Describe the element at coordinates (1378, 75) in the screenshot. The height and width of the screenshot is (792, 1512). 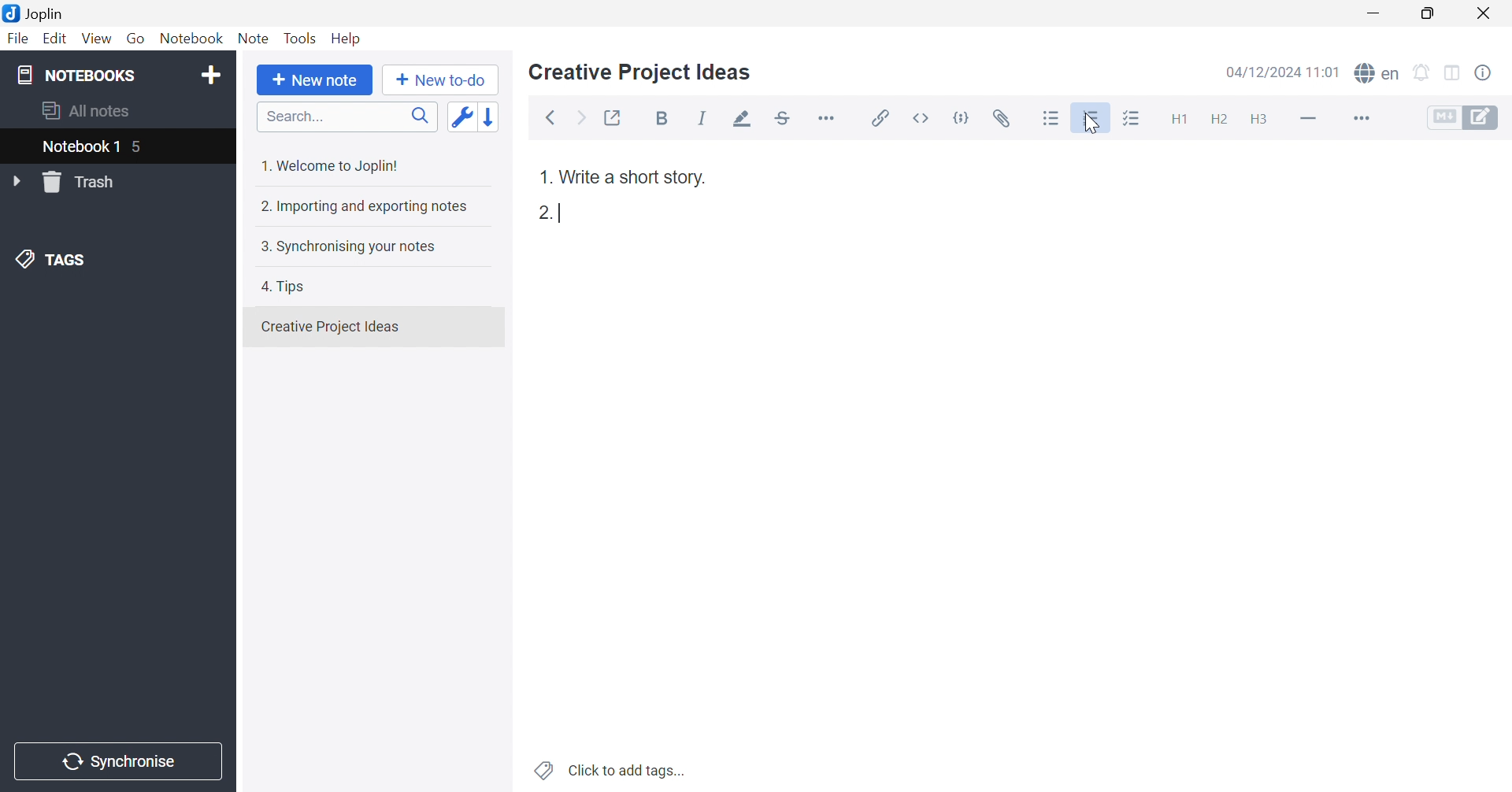
I see `Spell check` at that location.